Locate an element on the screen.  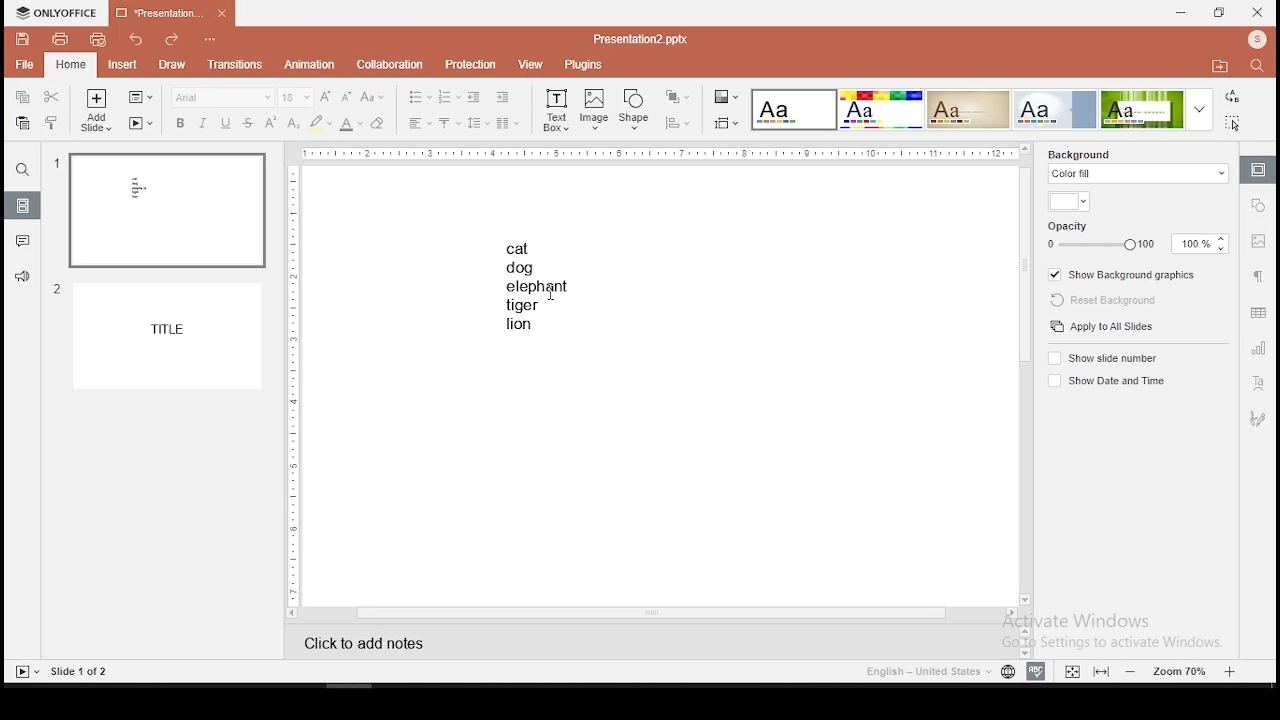
collaboration is located at coordinates (389, 63).